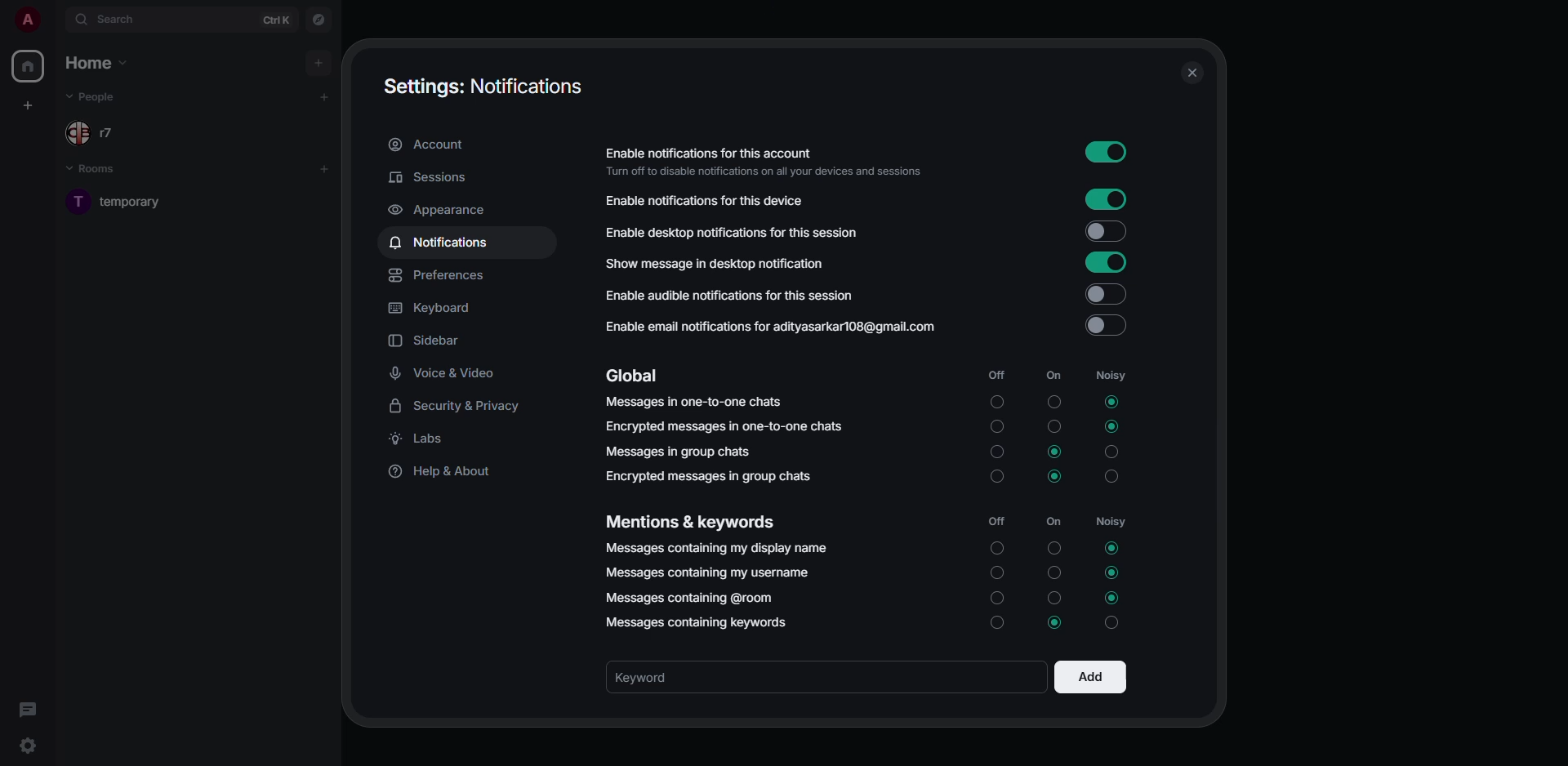 The height and width of the screenshot is (766, 1568). What do you see at coordinates (1111, 427) in the screenshot?
I see `selected` at bounding box center [1111, 427].